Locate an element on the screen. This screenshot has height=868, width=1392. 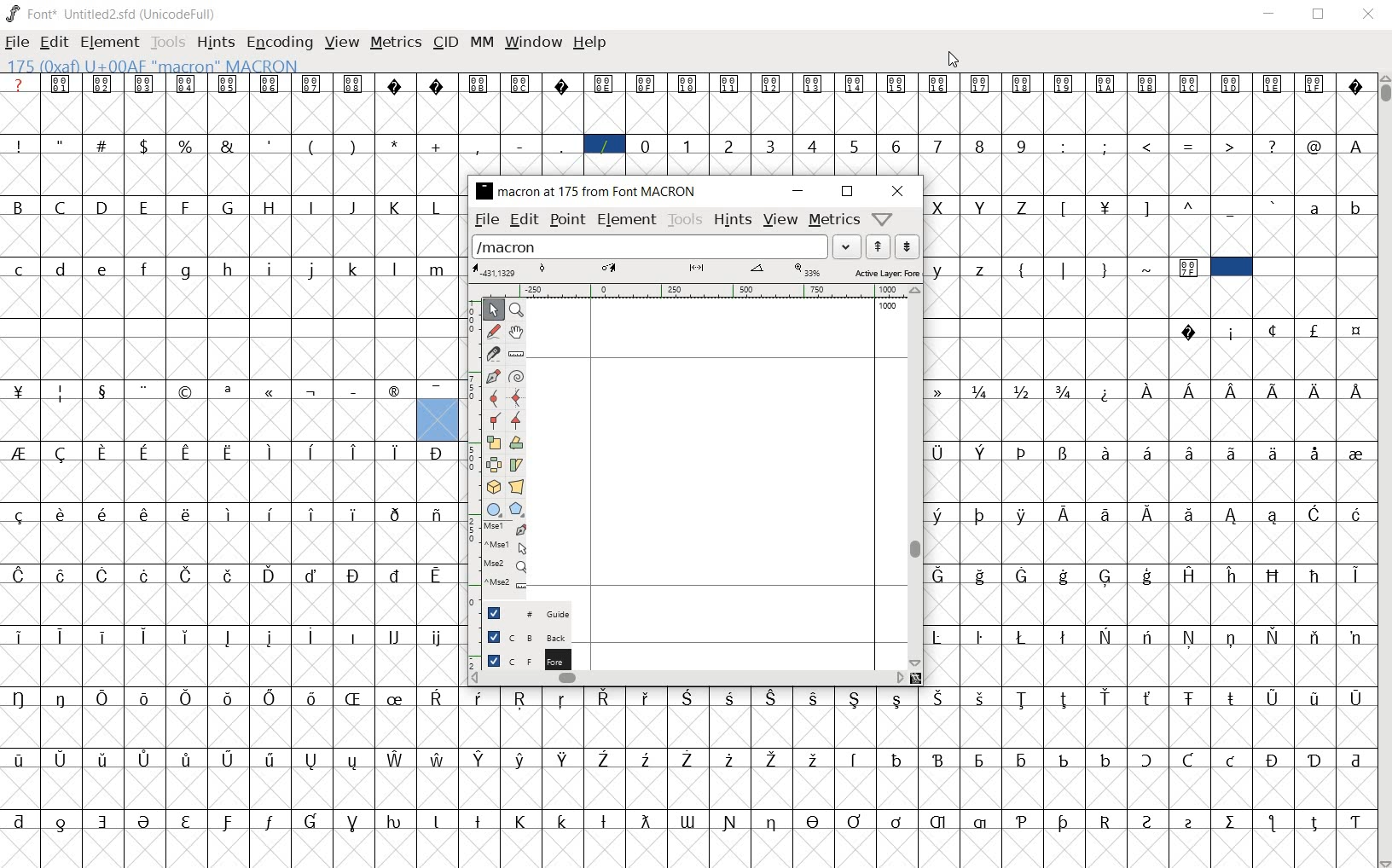
} is located at coordinates (1106, 269).